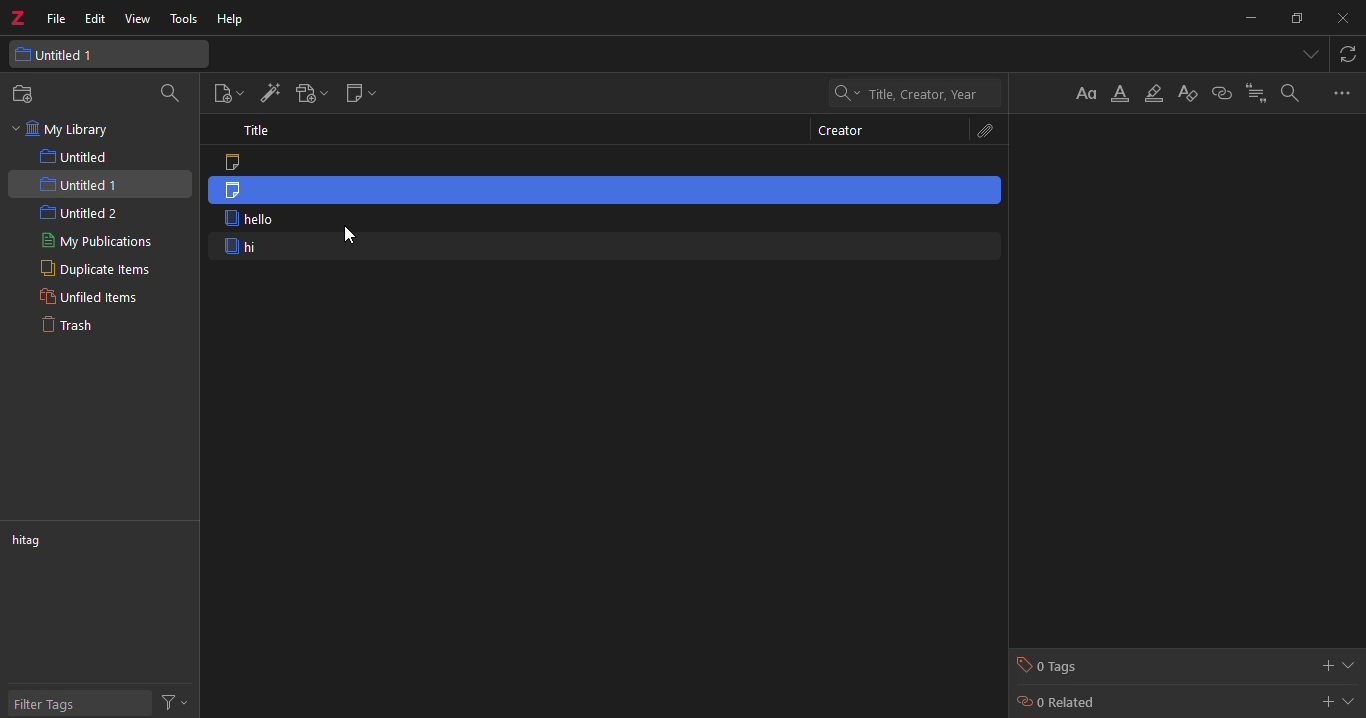 The image size is (1366, 718). Describe the element at coordinates (1256, 92) in the screenshot. I see `citation` at that location.